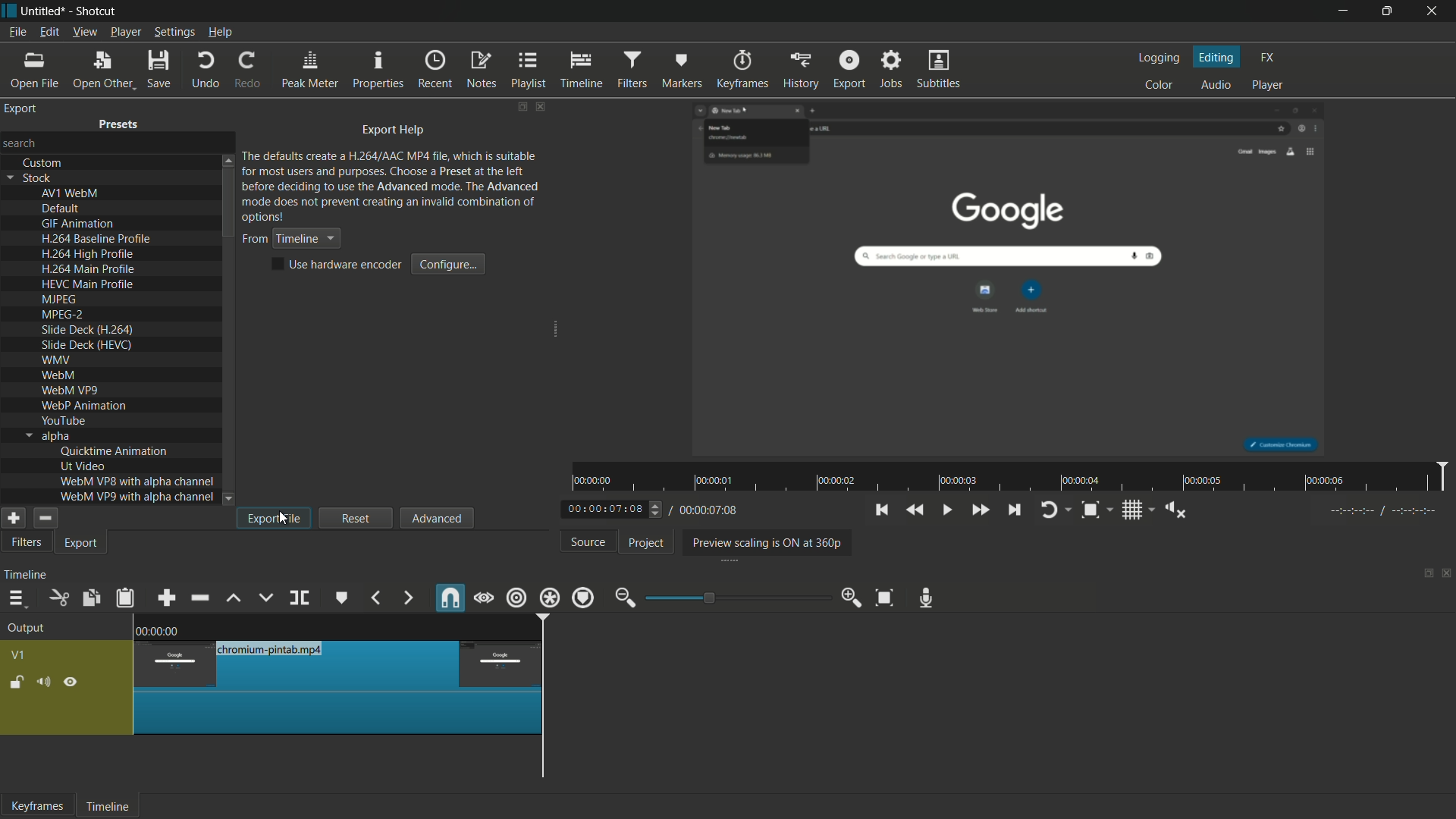  Describe the element at coordinates (17, 32) in the screenshot. I see `file menu` at that location.